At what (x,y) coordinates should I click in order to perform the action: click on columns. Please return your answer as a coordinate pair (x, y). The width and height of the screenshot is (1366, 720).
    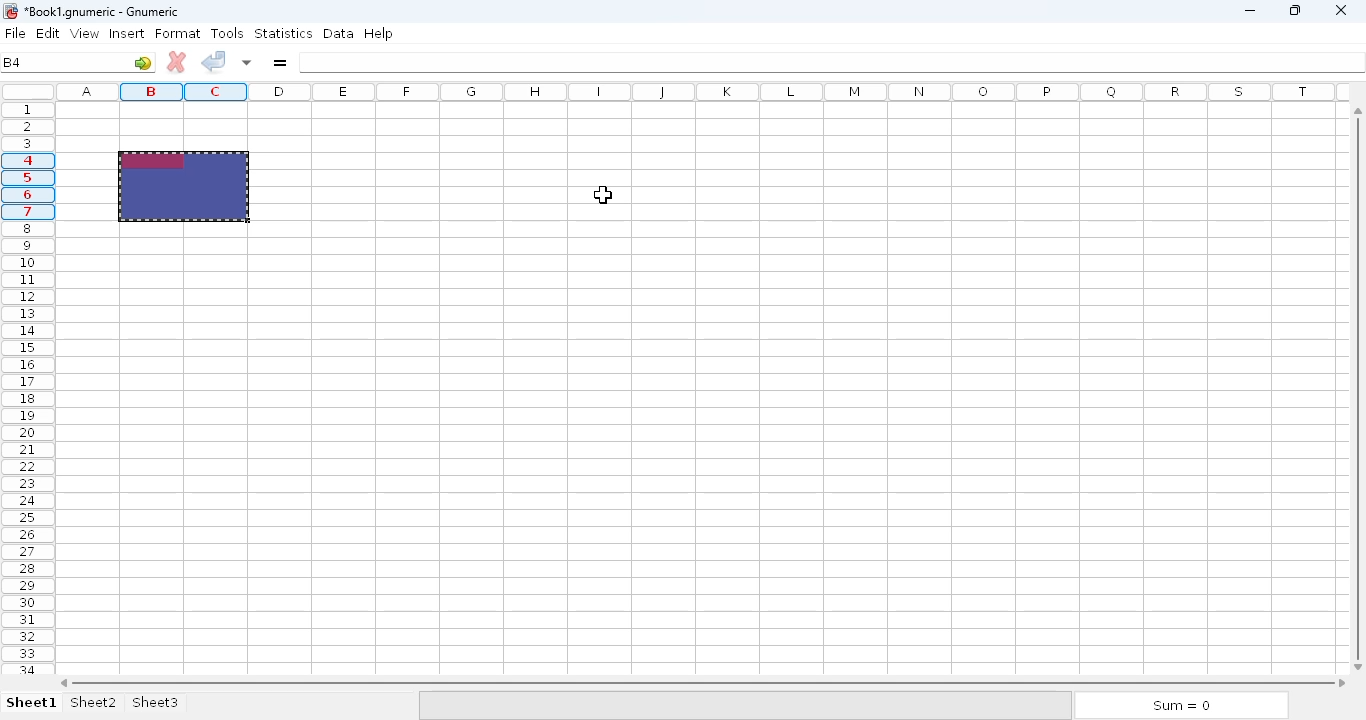
    Looking at the image, I should click on (705, 93).